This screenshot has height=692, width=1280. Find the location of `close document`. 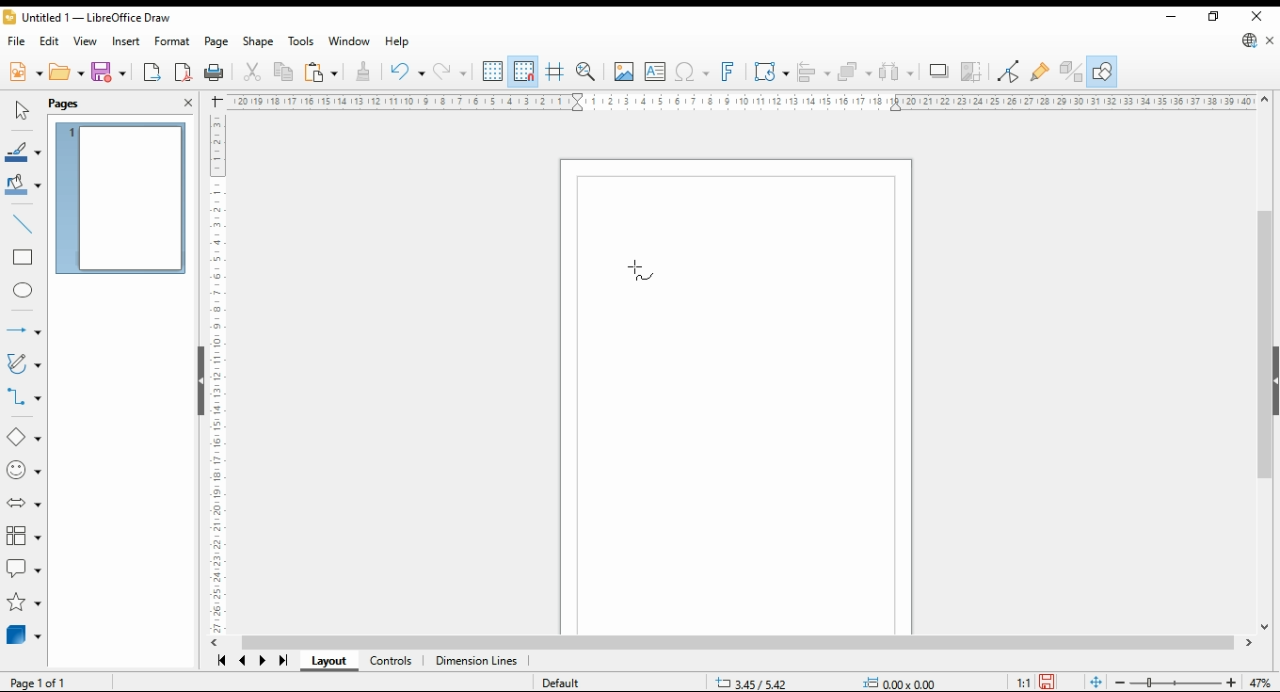

close document is located at coordinates (1270, 39).